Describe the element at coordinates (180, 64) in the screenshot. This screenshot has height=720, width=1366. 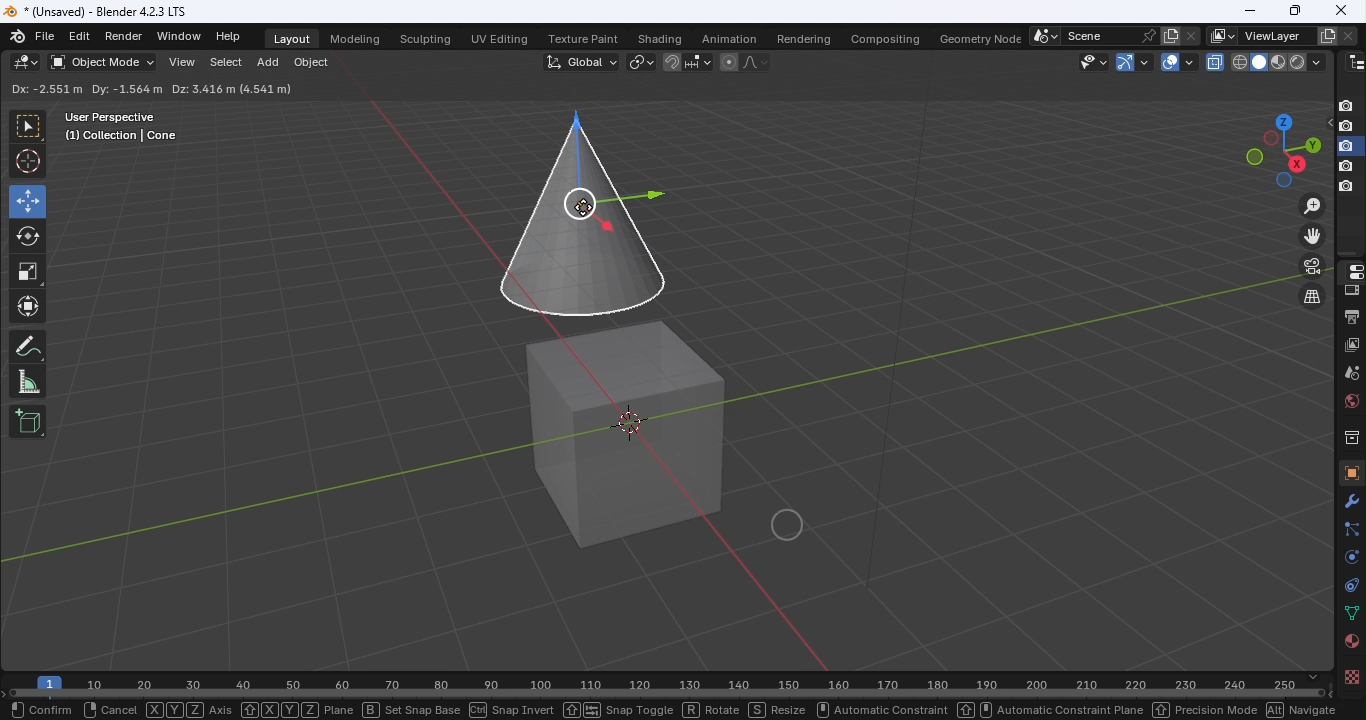
I see `View` at that location.